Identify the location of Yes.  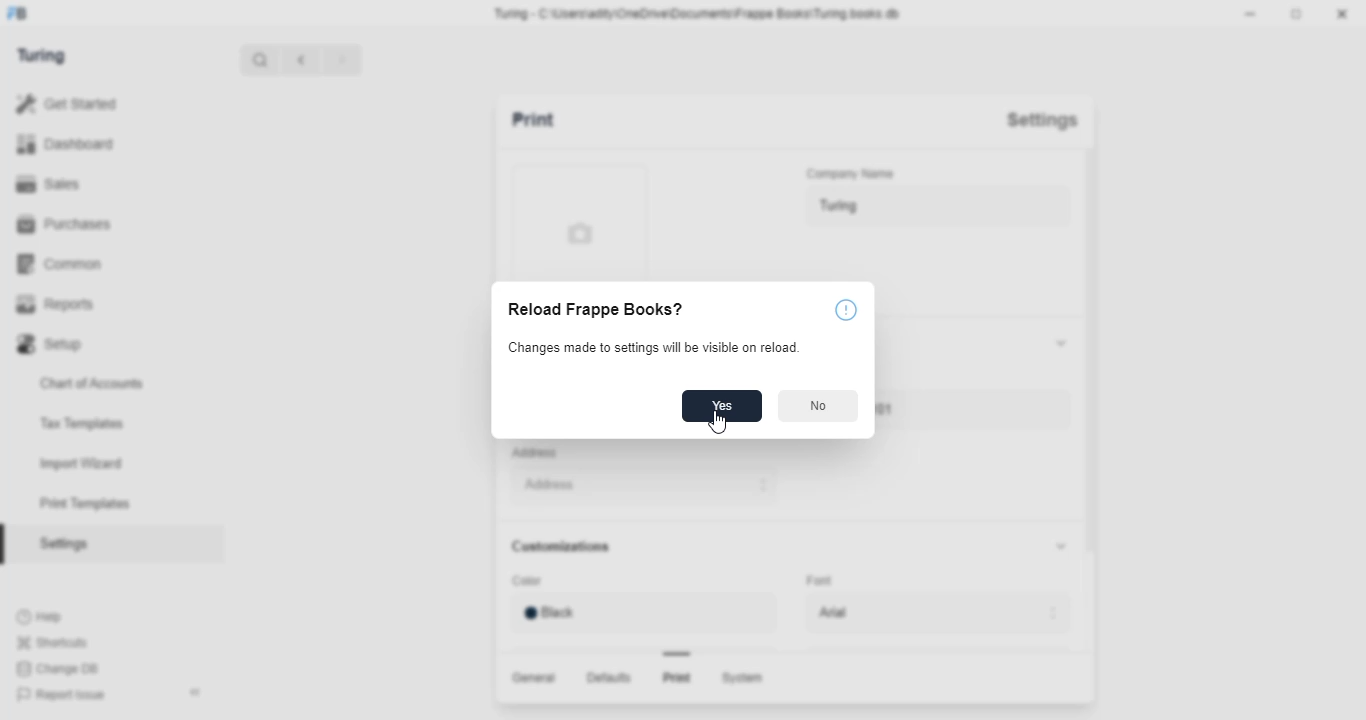
(720, 407).